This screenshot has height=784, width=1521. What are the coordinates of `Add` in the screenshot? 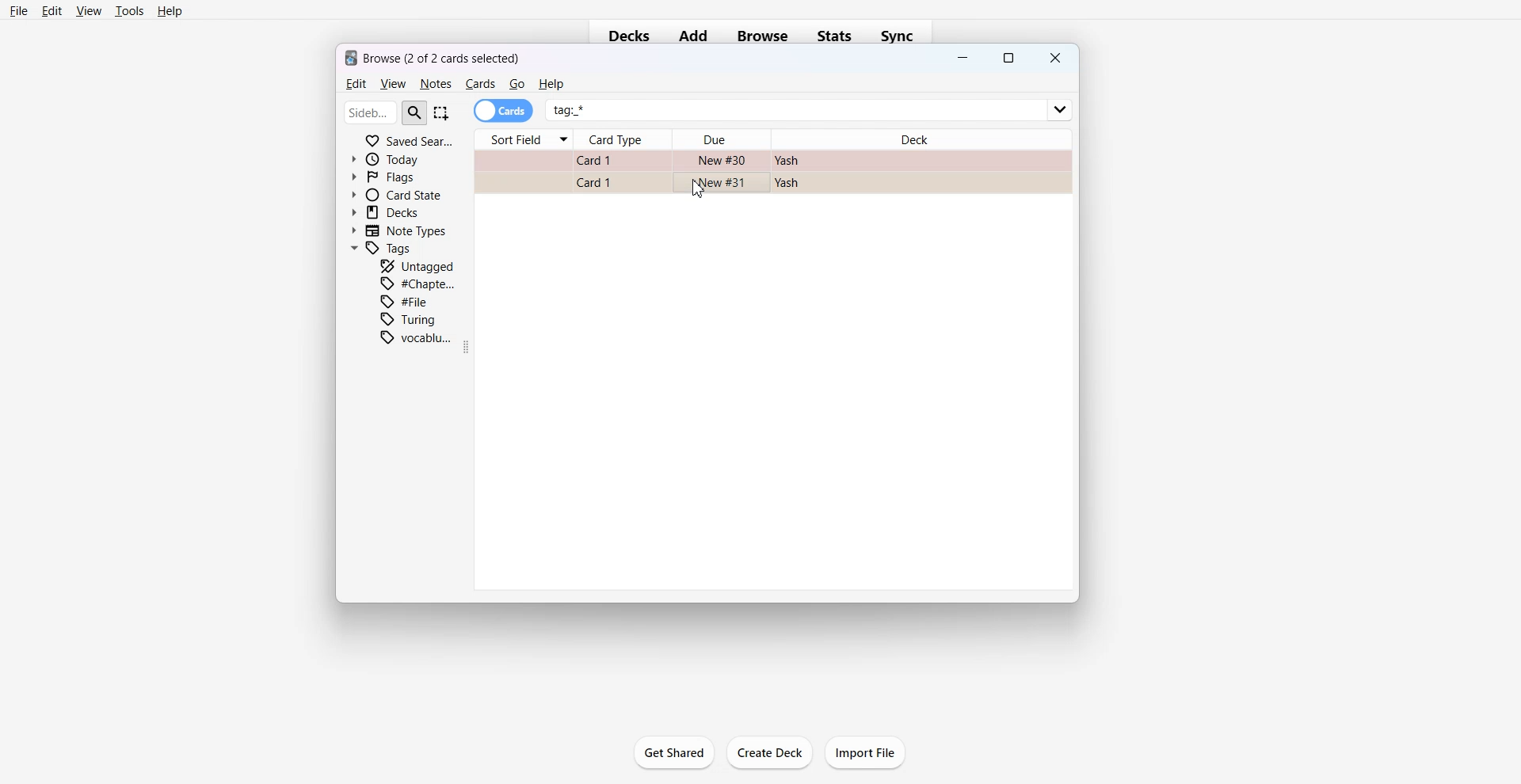 It's located at (693, 36).